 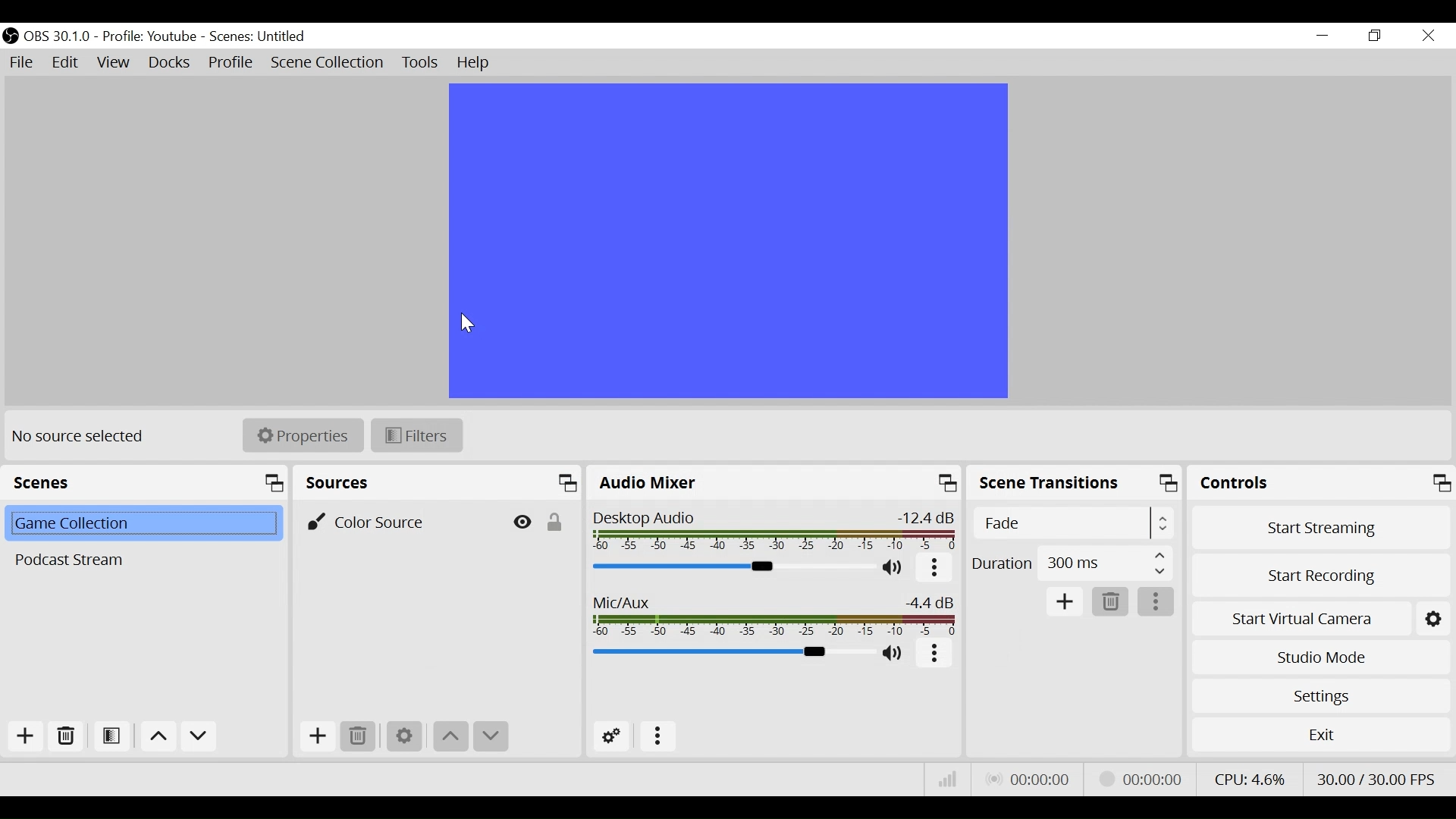 I want to click on Docks, so click(x=171, y=62).